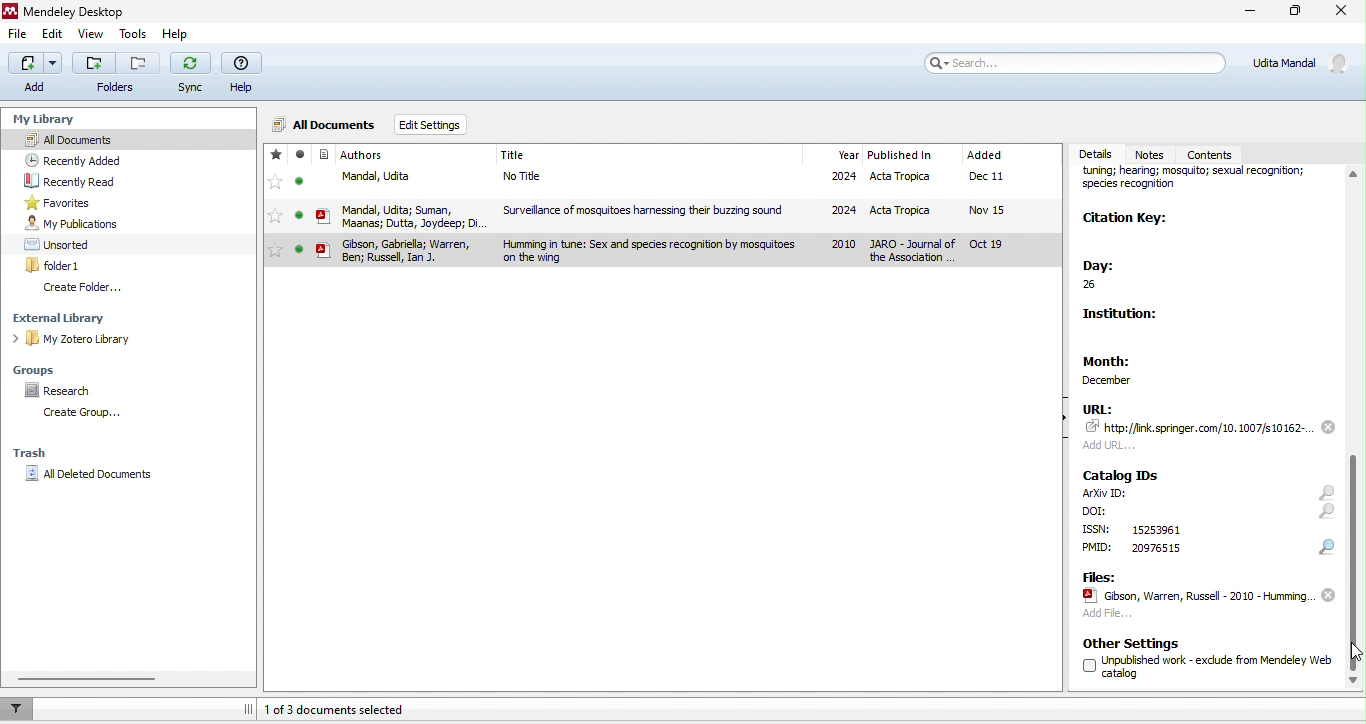  Describe the element at coordinates (1107, 493) in the screenshot. I see `text` at that location.